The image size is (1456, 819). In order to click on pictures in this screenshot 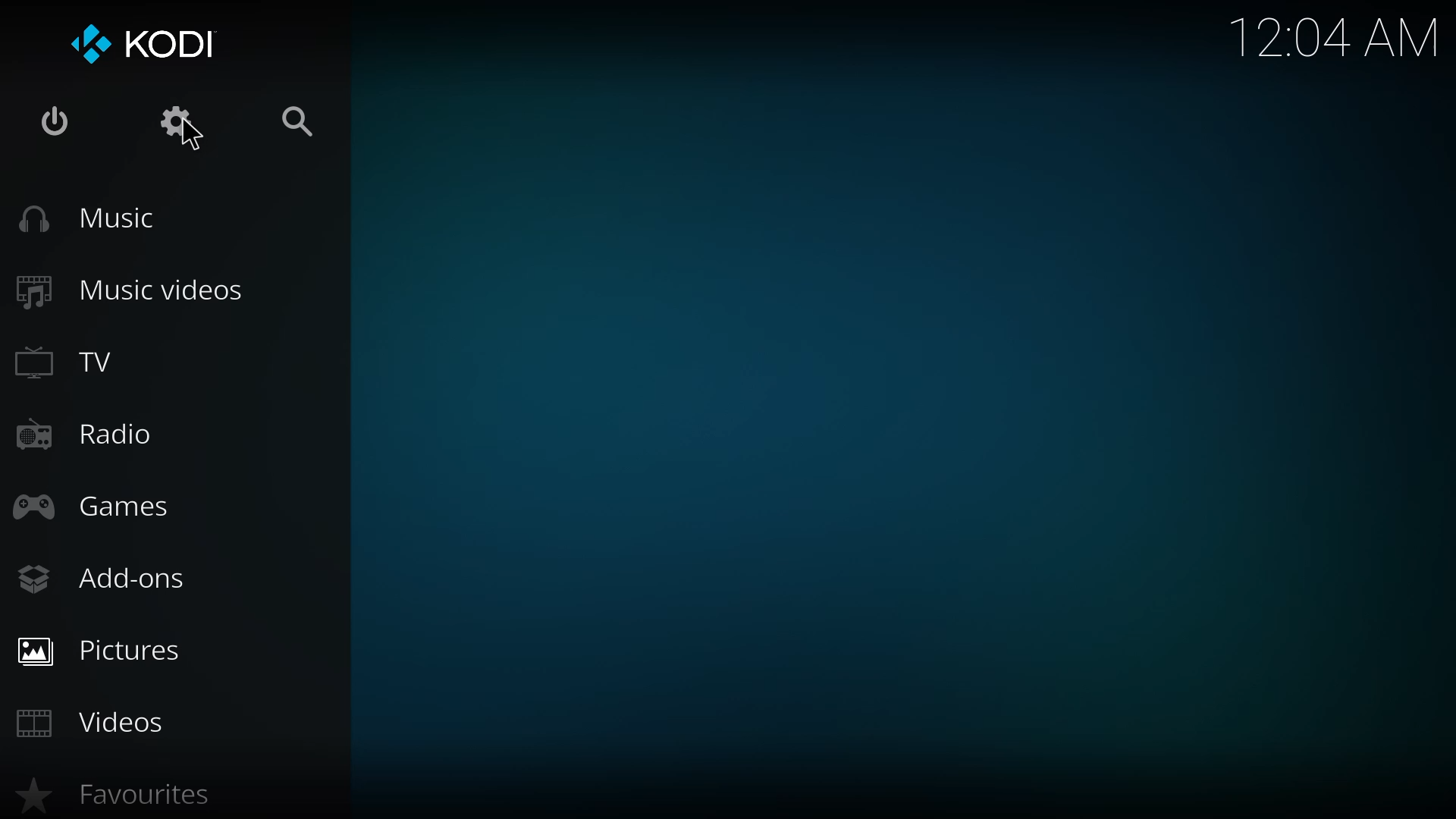, I will do `click(102, 648)`.